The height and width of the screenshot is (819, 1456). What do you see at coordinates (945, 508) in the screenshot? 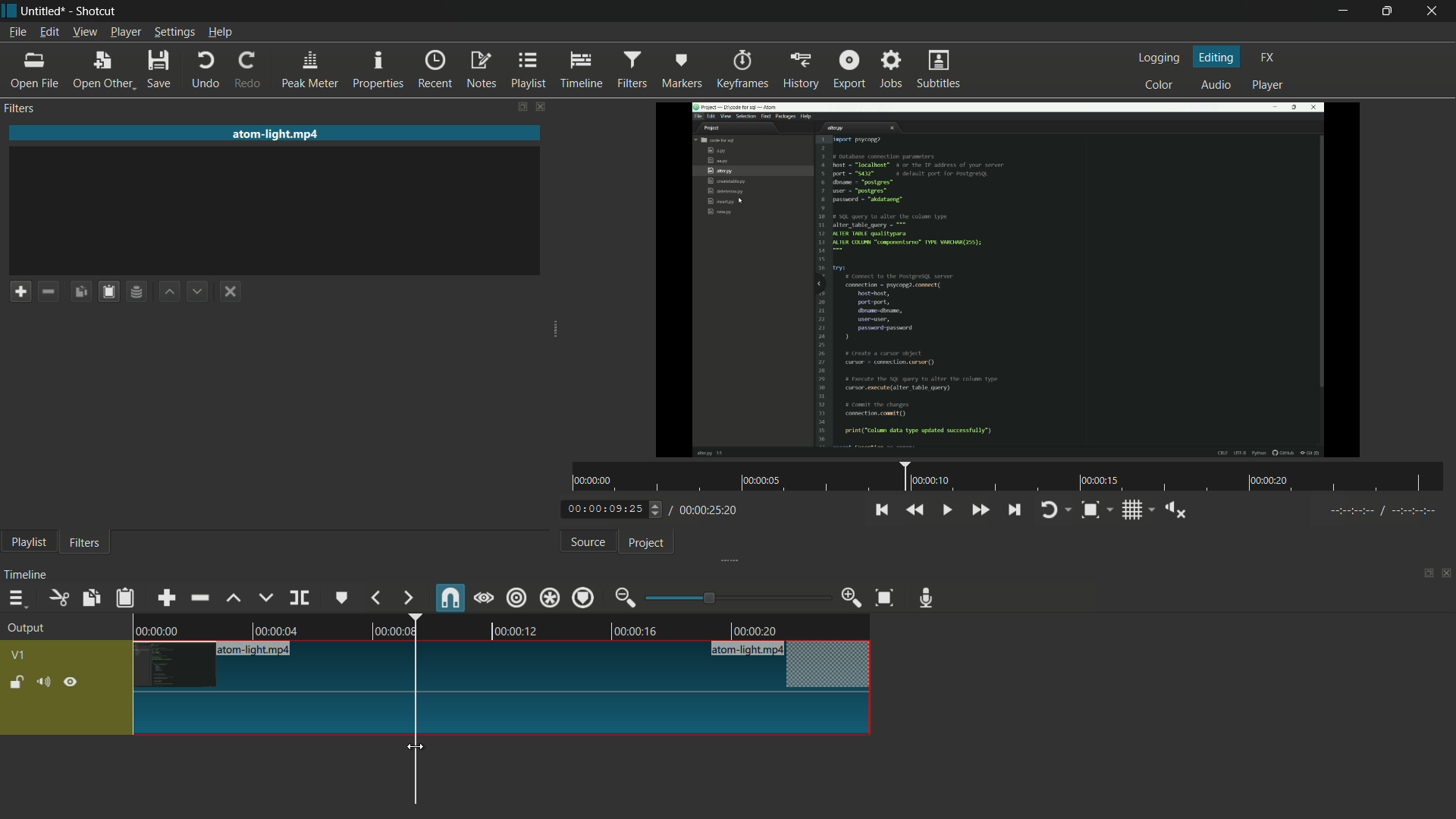
I see `toggle play or pause` at bounding box center [945, 508].